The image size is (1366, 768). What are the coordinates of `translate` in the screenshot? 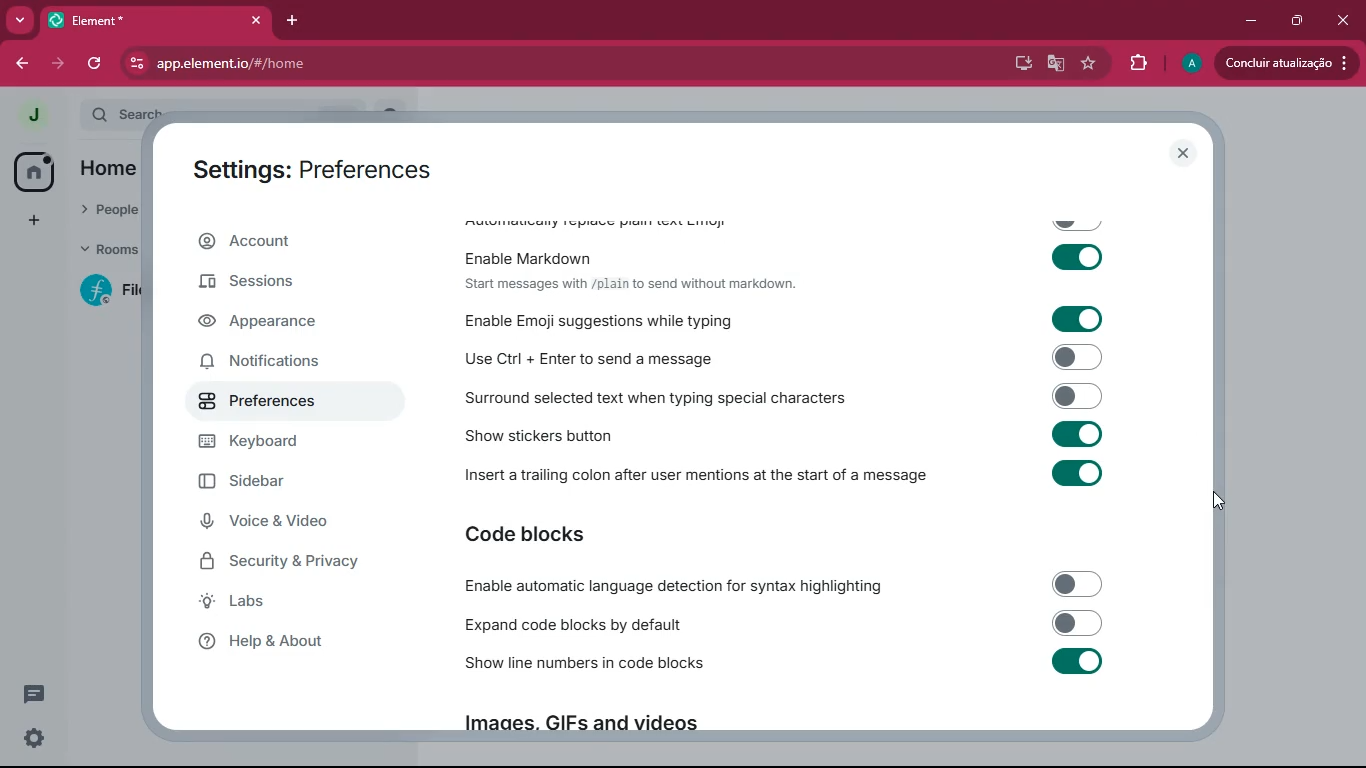 It's located at (1057, 64).